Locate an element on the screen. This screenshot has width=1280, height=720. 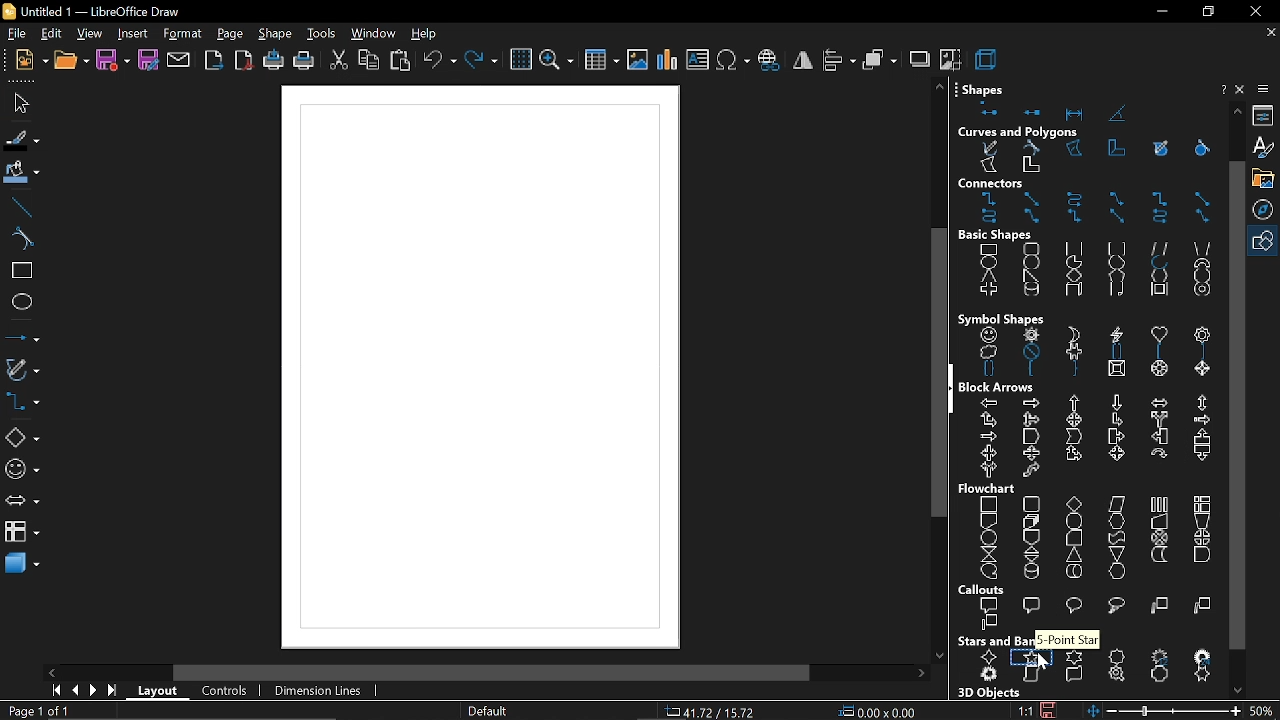
scaling factor is located at coordinates (1025, 710).